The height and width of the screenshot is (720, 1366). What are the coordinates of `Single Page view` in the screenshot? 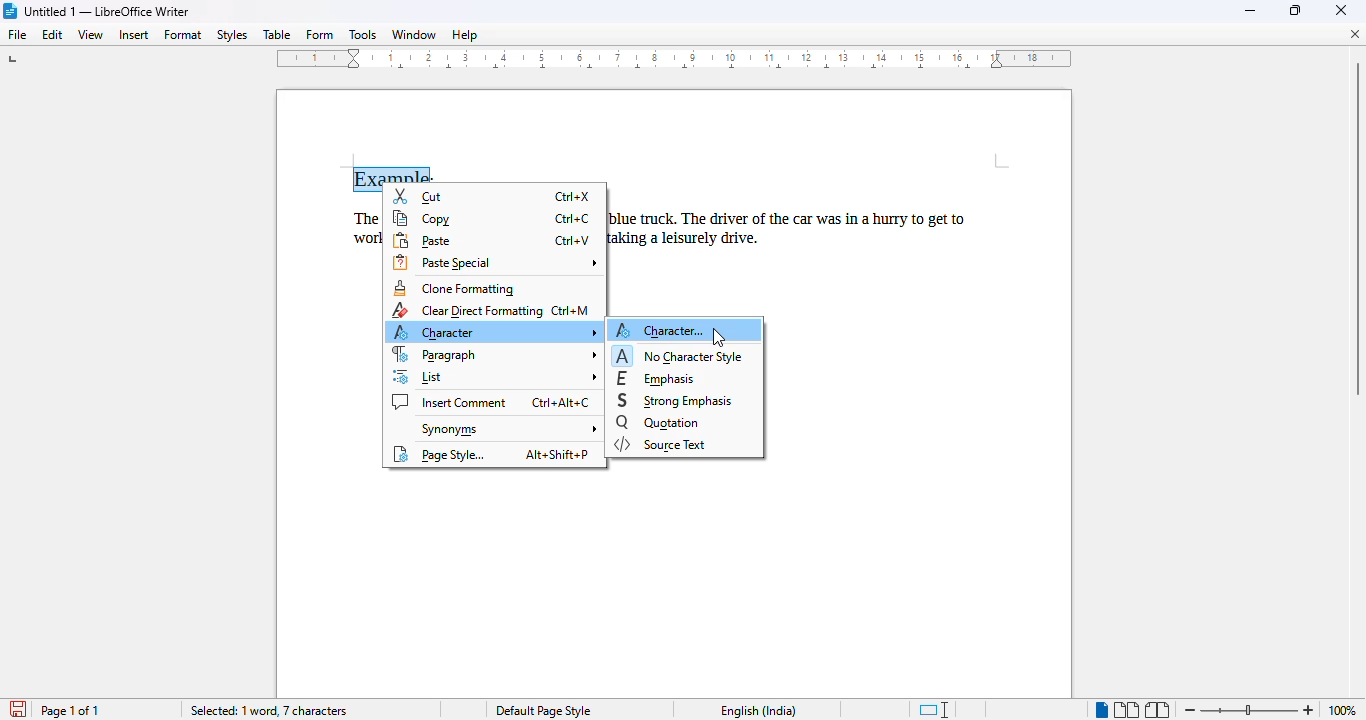 It's located at (1091, 709).